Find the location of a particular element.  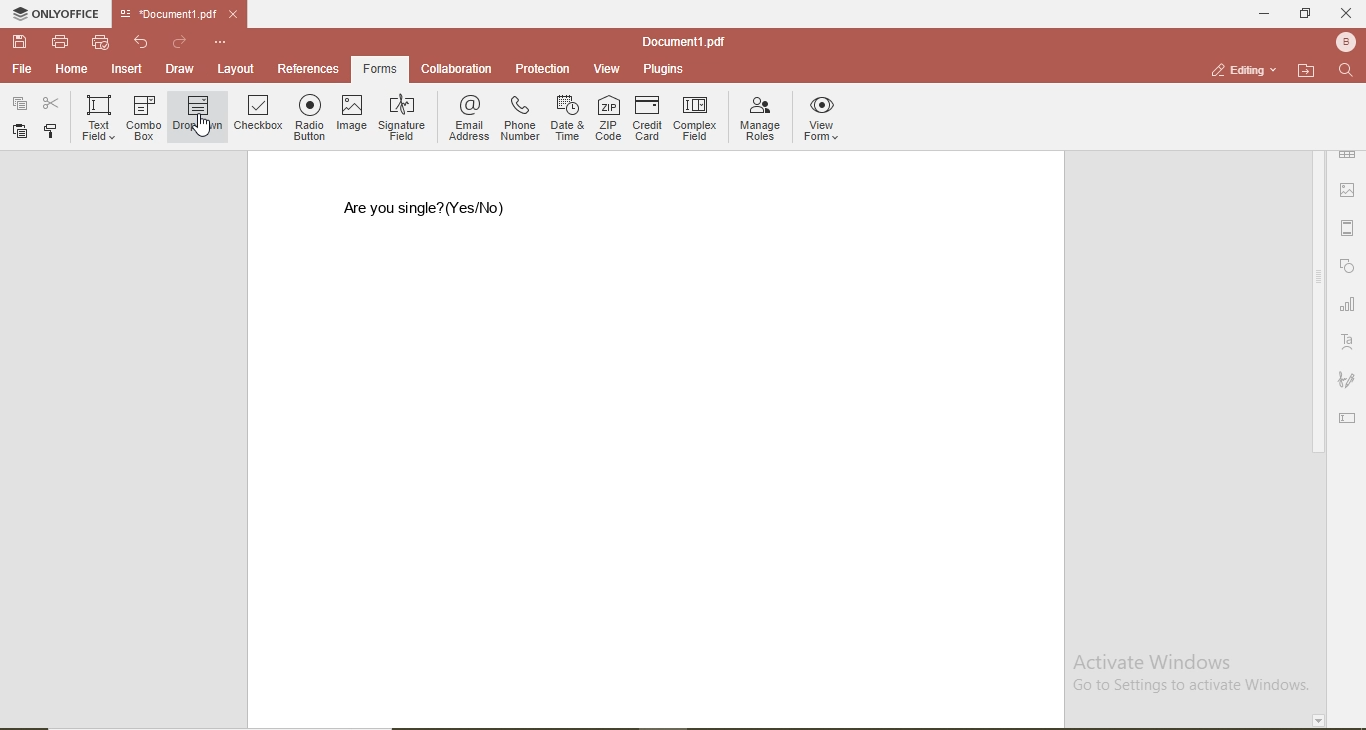

signature is located at coordinates (1348, 377).